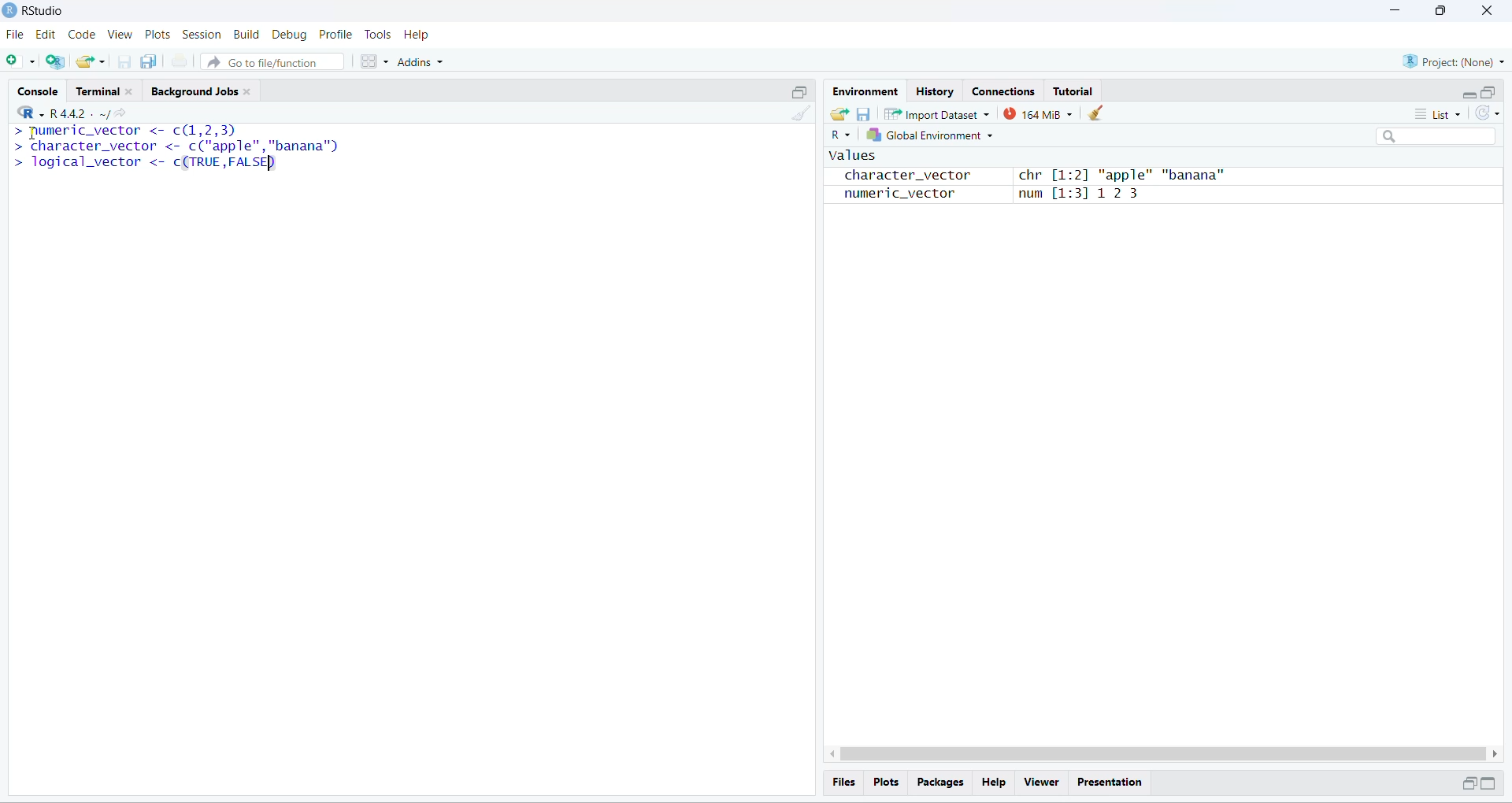 This screenshot has width=1512, height=803. I want to click on "R442, so click(51, 113).